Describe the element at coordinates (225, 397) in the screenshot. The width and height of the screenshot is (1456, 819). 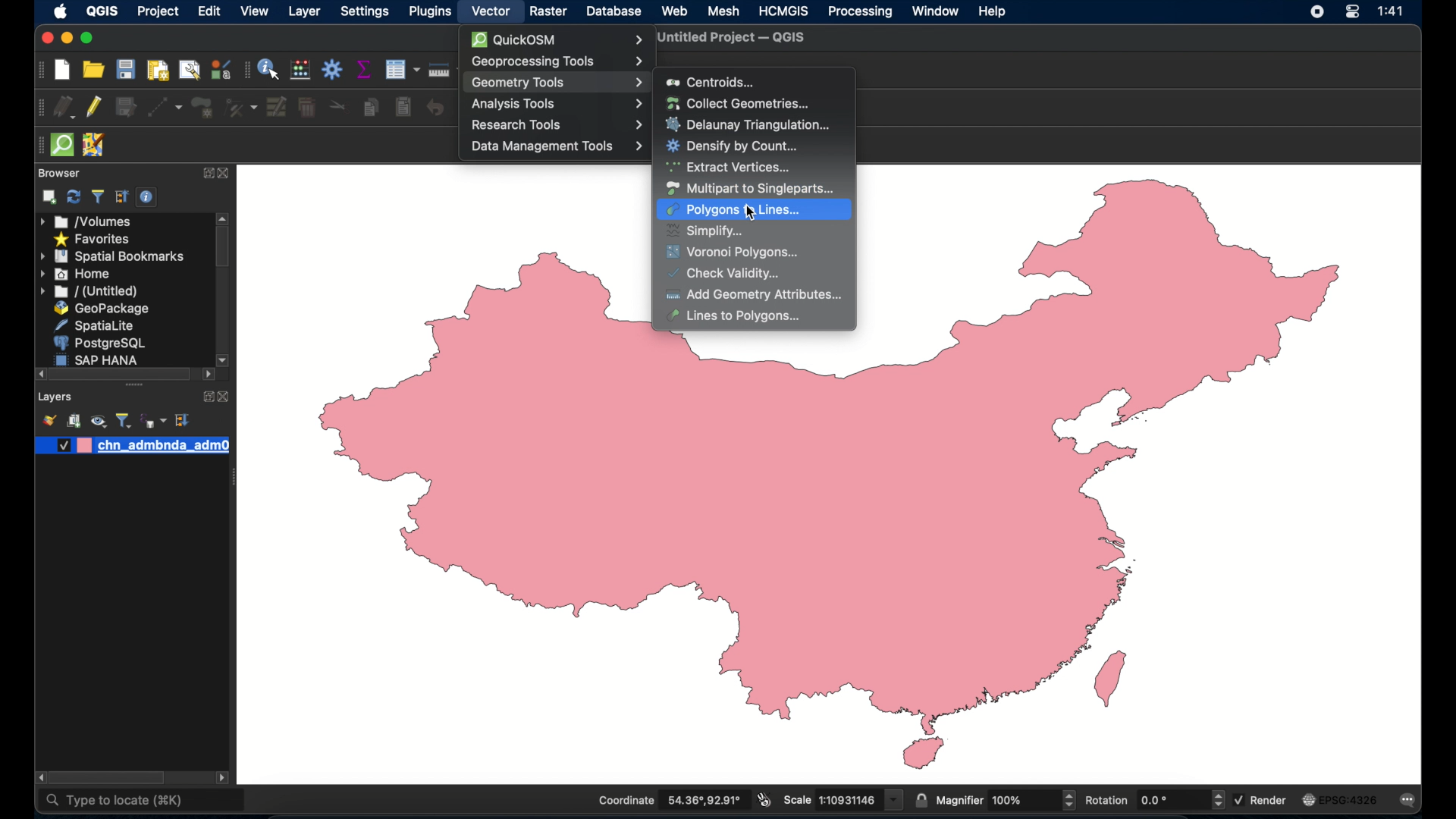
I see `close` at that location.